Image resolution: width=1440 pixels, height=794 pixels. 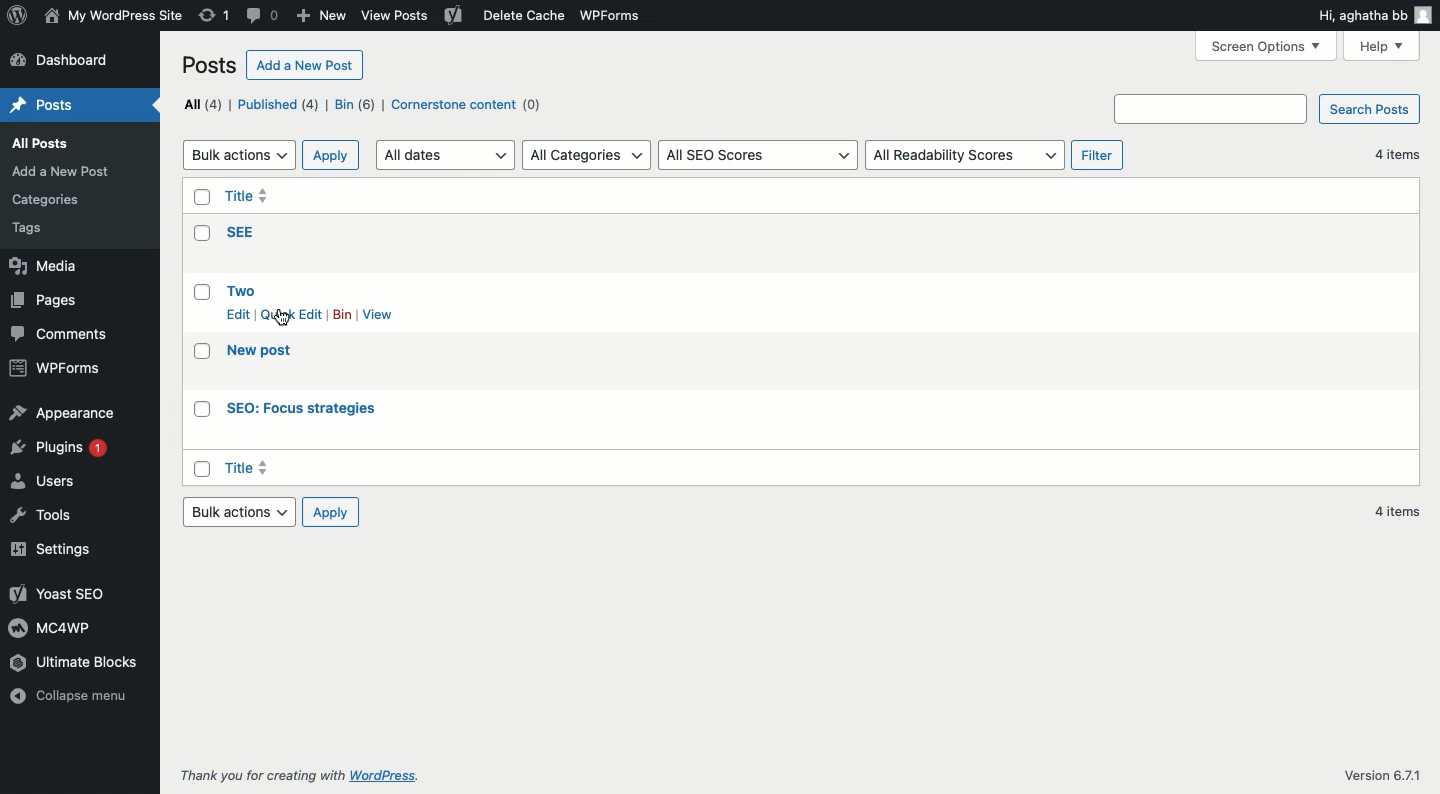 I want to click on 4 items, so click(x=1395, y=512).